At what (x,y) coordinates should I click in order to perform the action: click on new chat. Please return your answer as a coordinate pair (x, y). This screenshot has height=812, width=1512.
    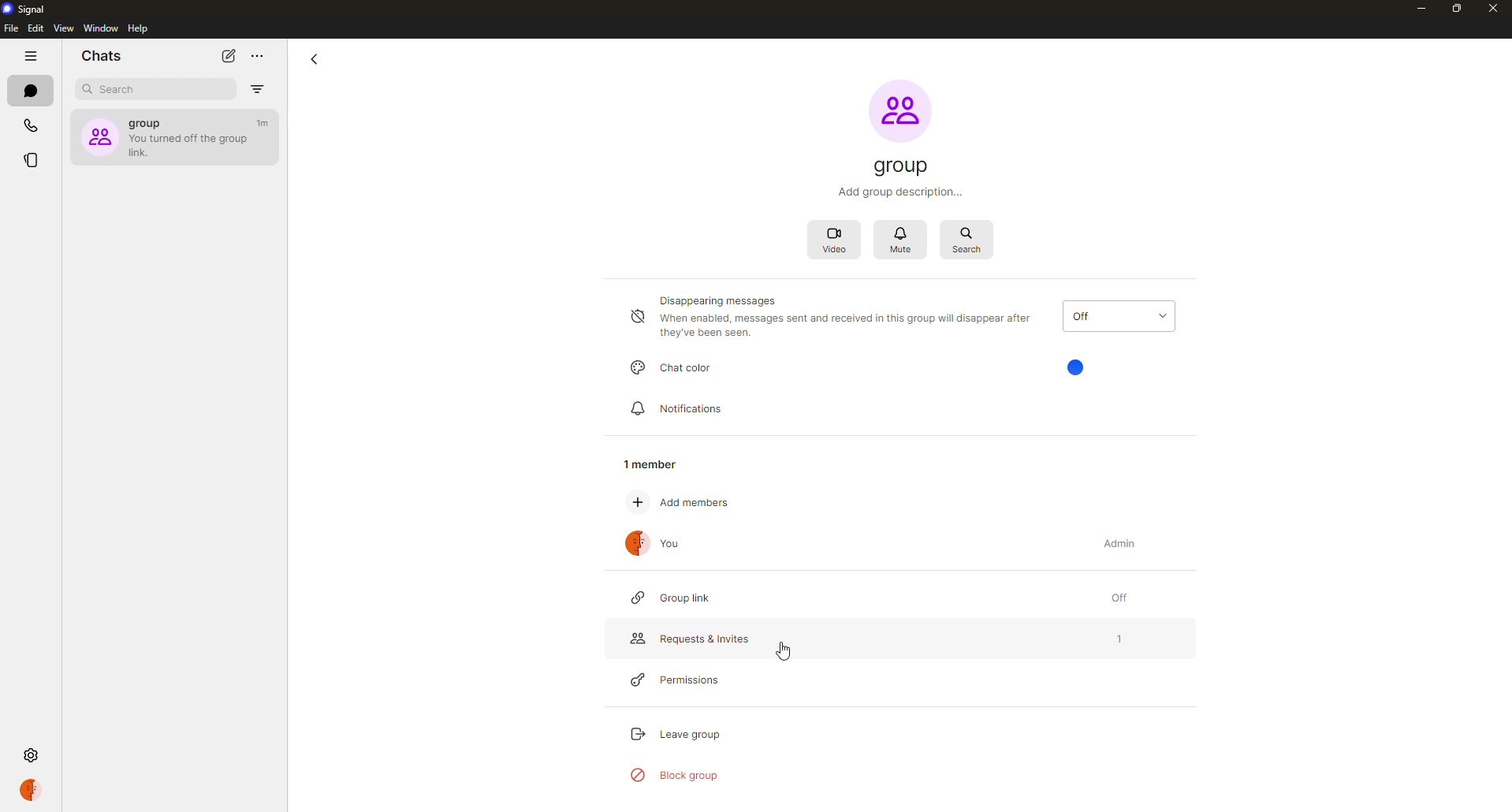
    Looking at the image, I should click on (229, 56).